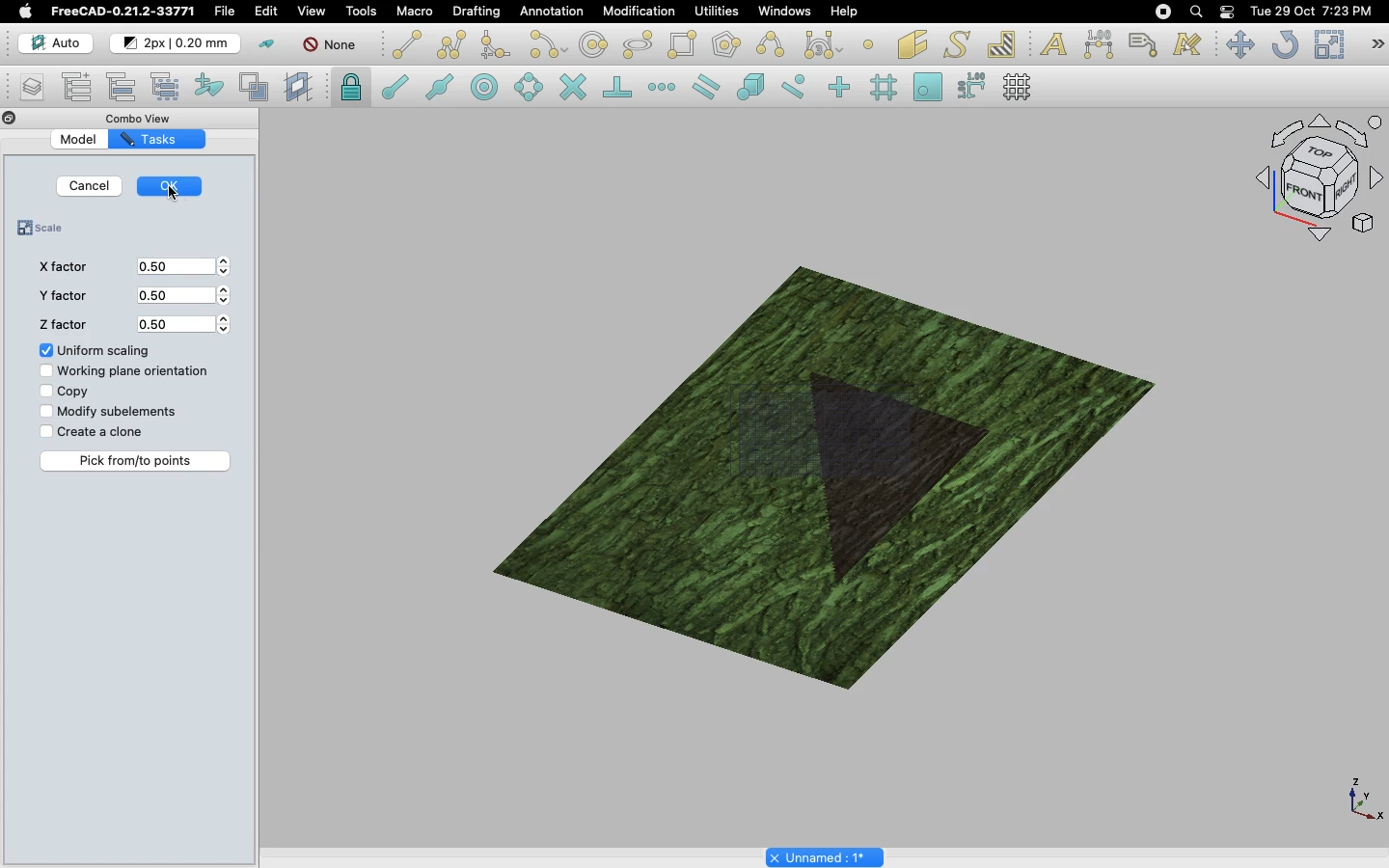 This screenshot has height=868, width=1389. Describe the element at coordinates (404, 44) in the screenshot. I see `Line` at that location.